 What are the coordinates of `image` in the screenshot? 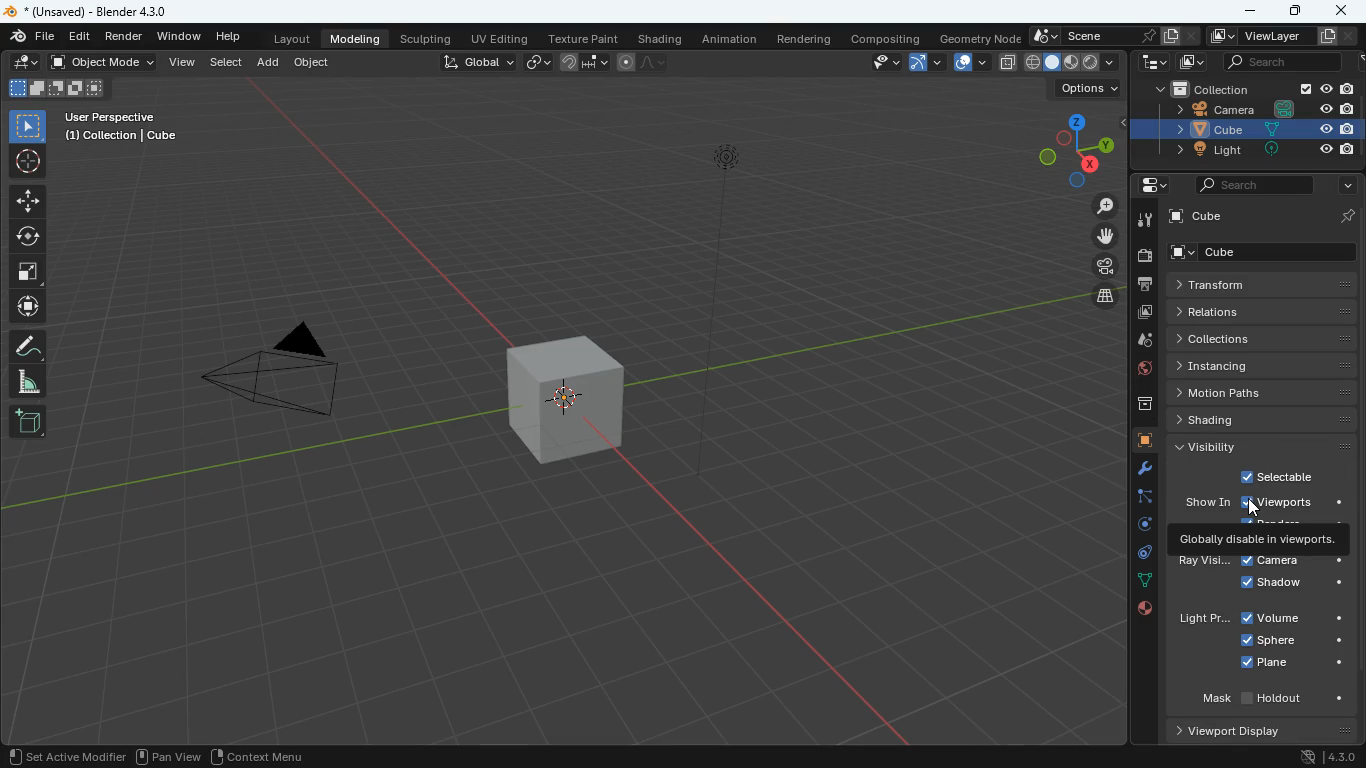 It's located at (1188, 63).